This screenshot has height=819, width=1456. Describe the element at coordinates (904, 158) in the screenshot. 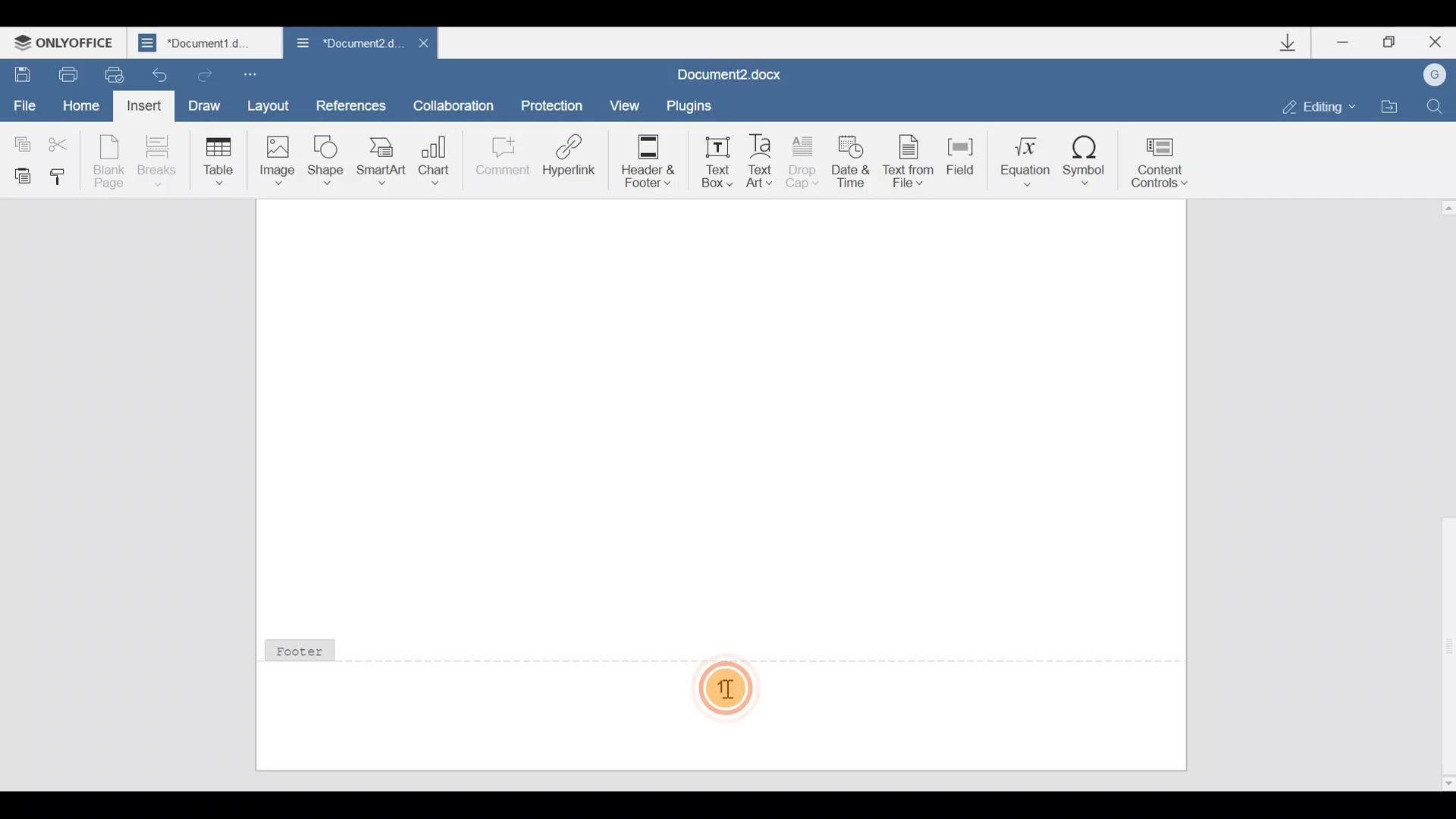

I see `Text from file` at that location.